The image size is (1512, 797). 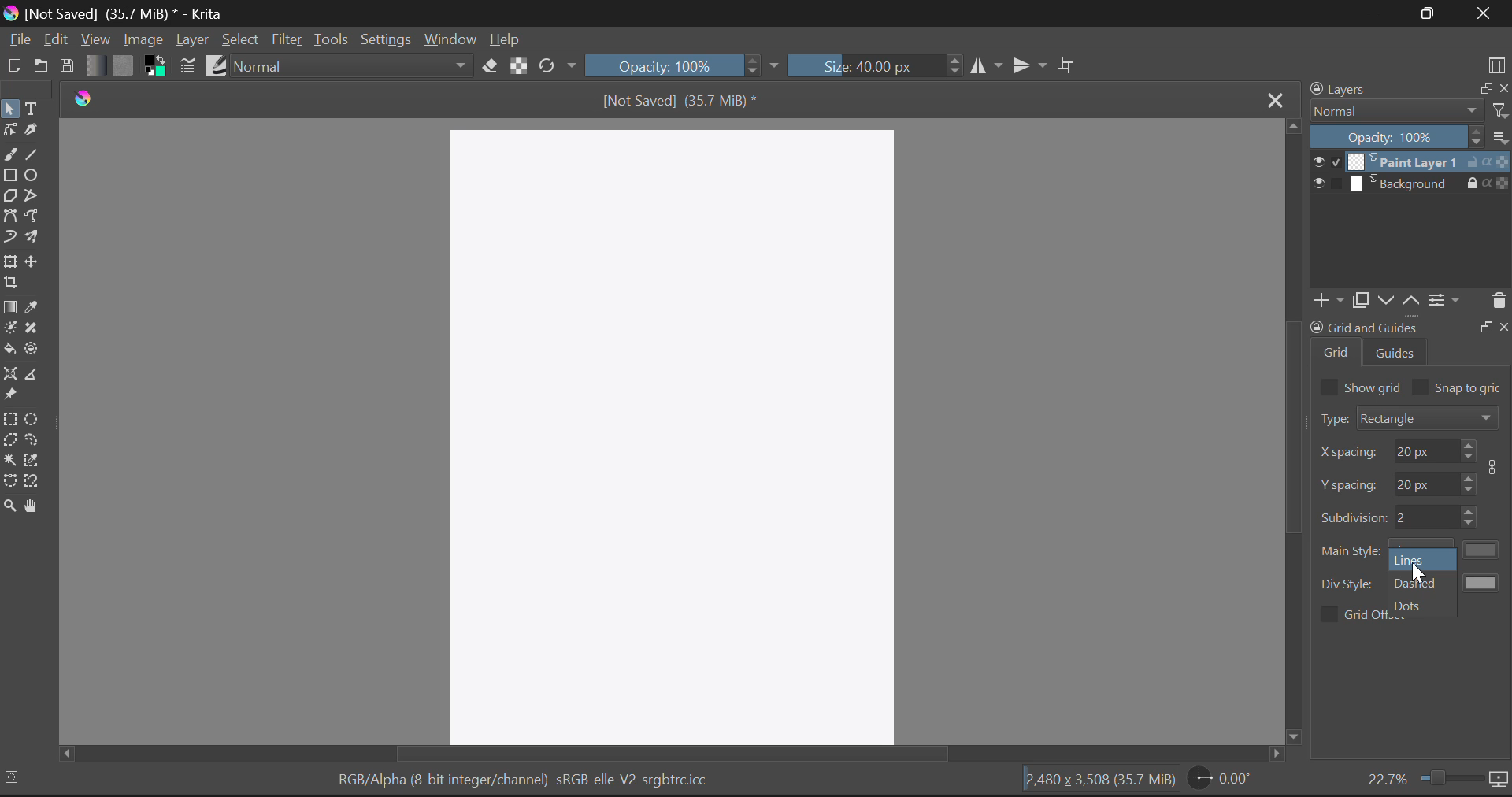 What do you see at coordinates (1293, 432) in the screenshot?
I see `Scroll Bar` at bounding box center [1293, 432].